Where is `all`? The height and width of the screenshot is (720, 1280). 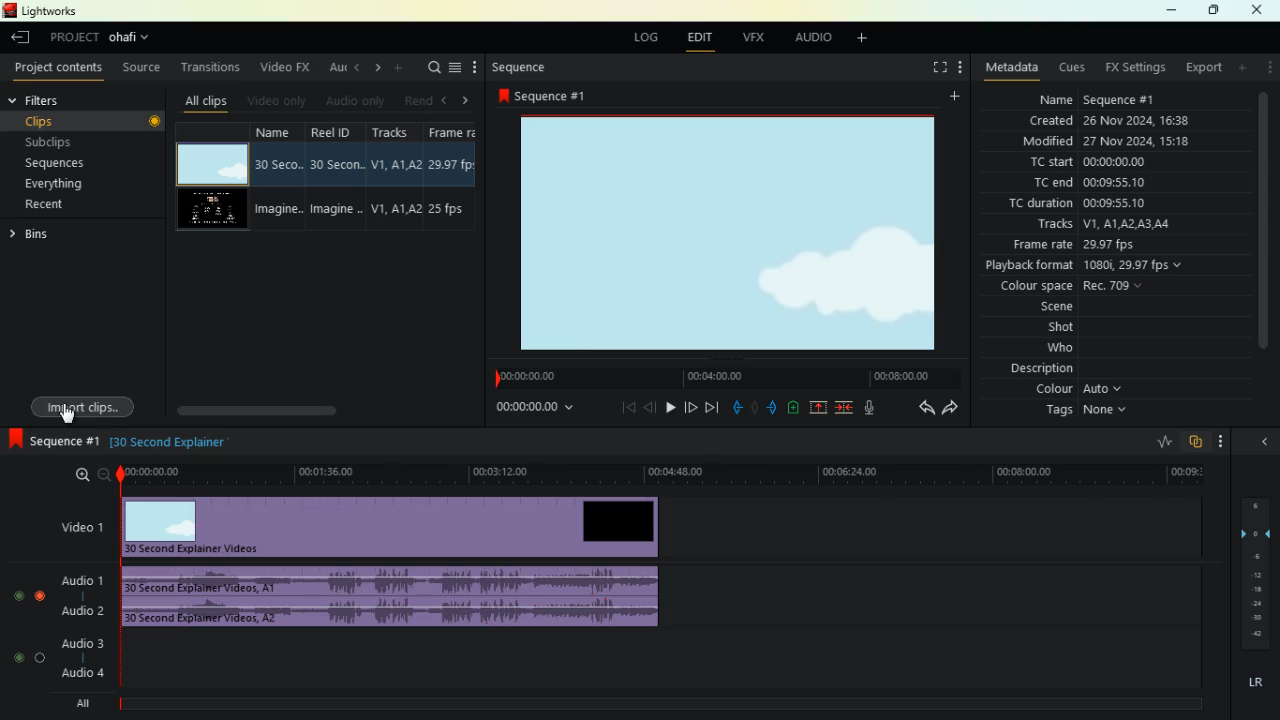
all is located at coordinates (86, 706).